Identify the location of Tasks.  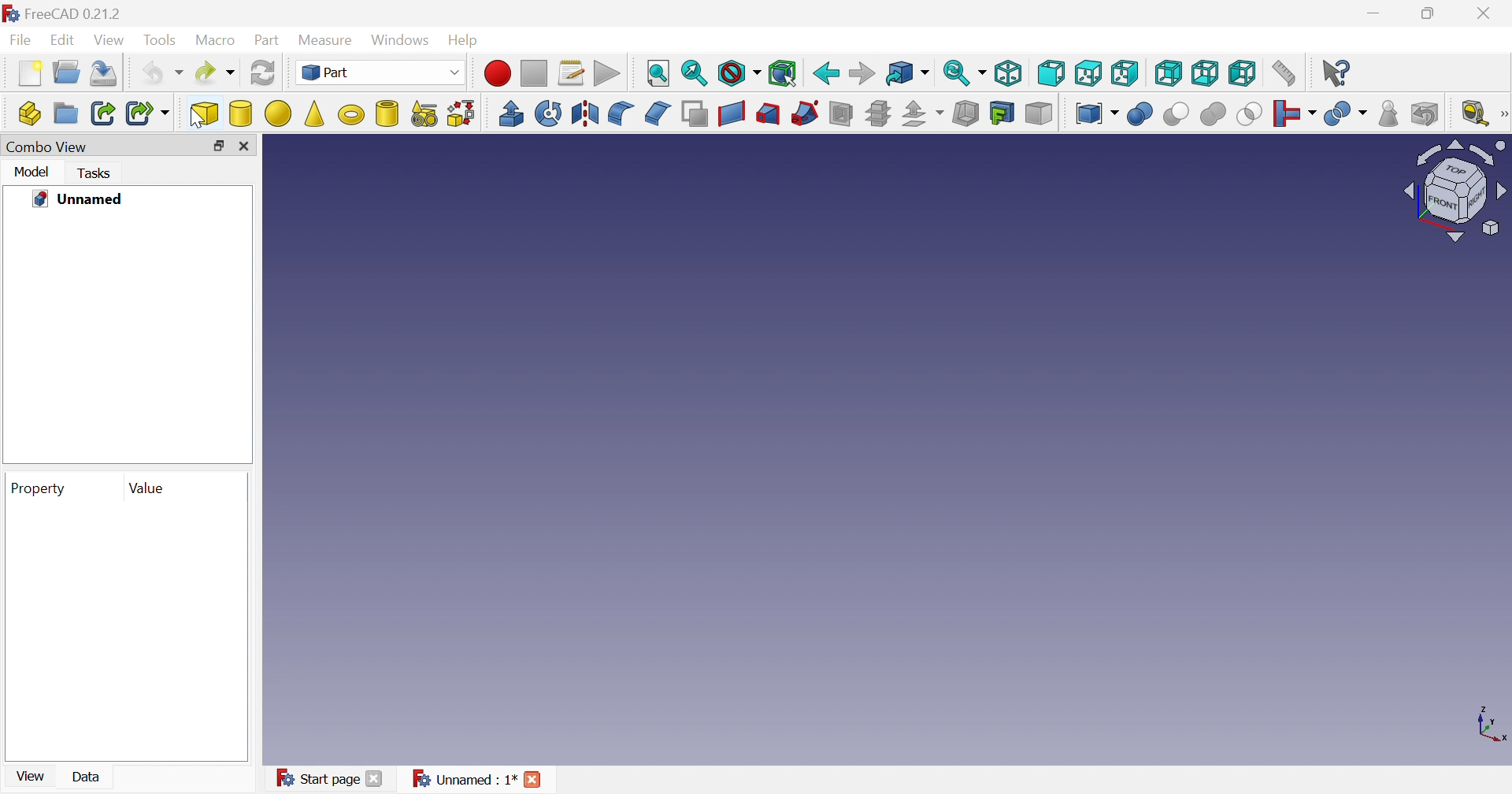
(97, 173).